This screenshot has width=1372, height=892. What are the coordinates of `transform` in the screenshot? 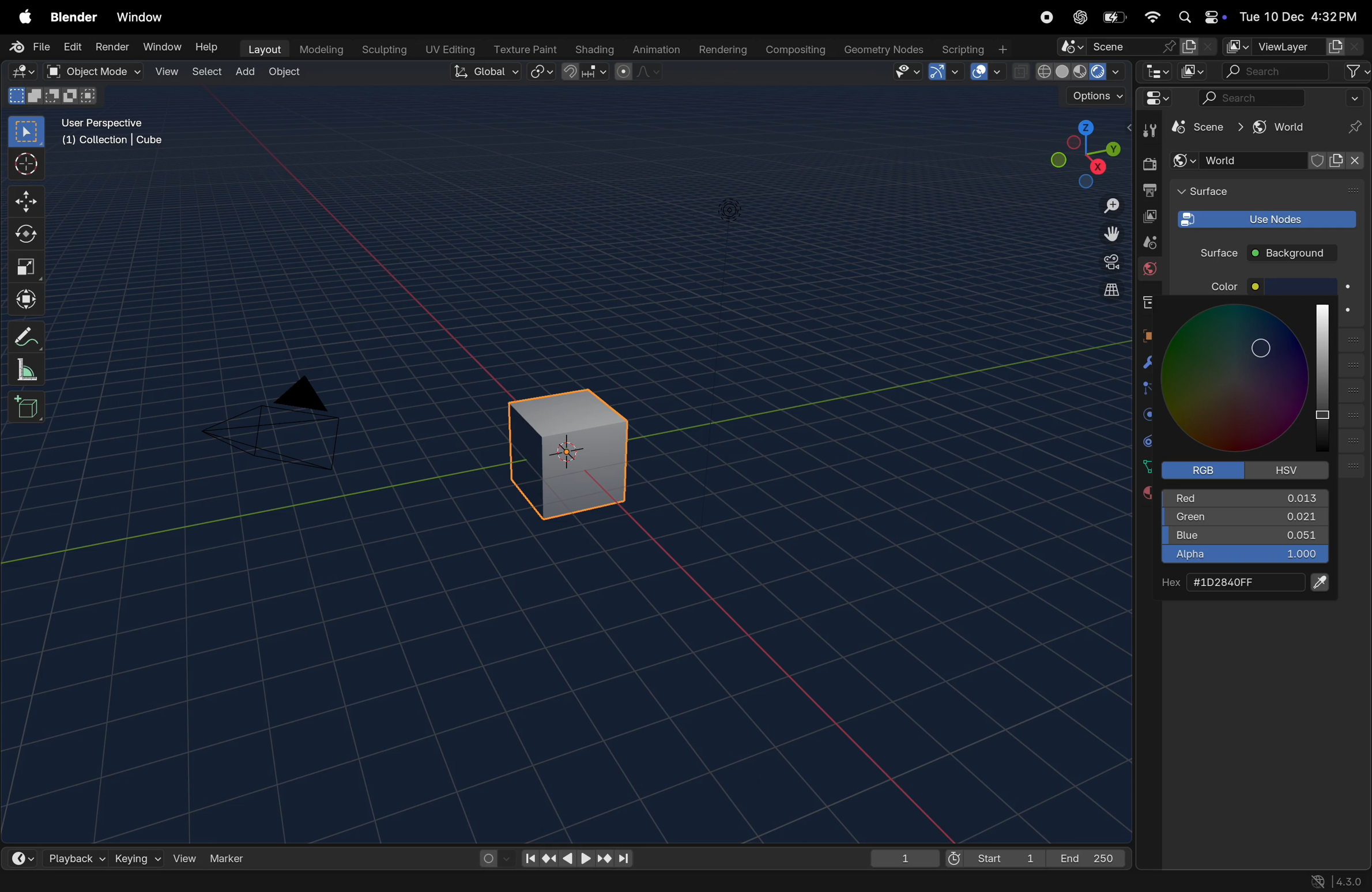 It's located at (29, 297).